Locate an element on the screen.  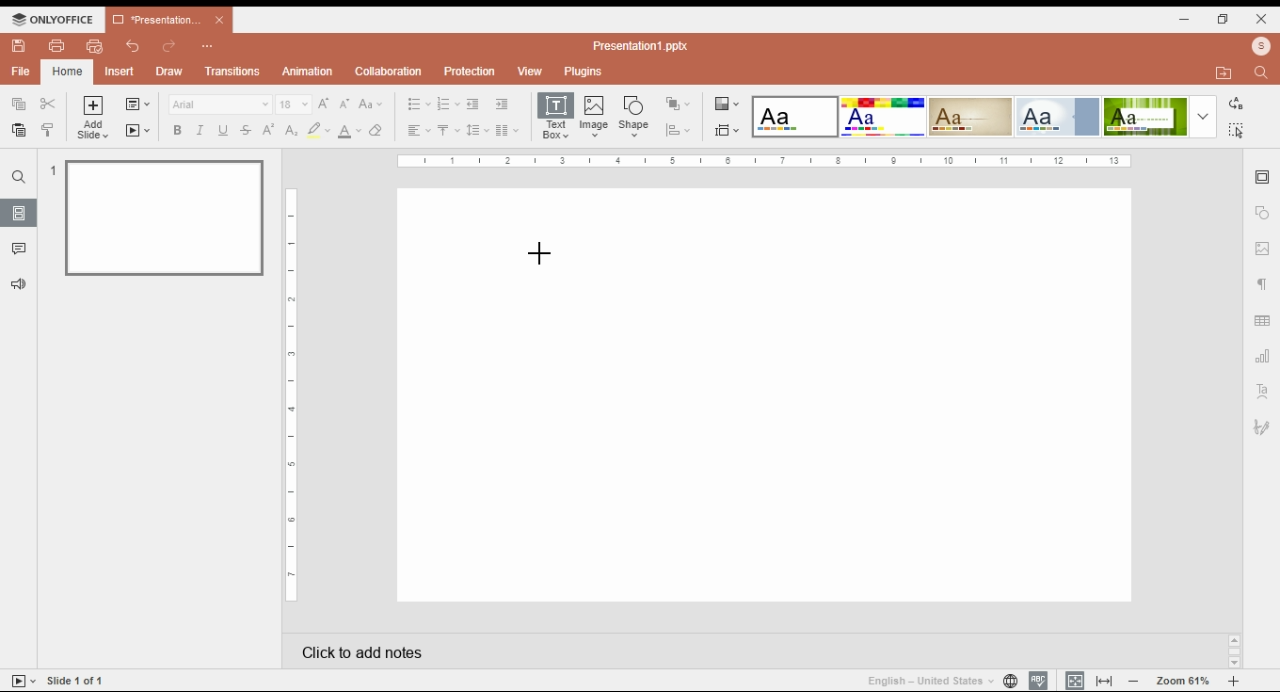
slide settings is located at coordinates (1263, 178).